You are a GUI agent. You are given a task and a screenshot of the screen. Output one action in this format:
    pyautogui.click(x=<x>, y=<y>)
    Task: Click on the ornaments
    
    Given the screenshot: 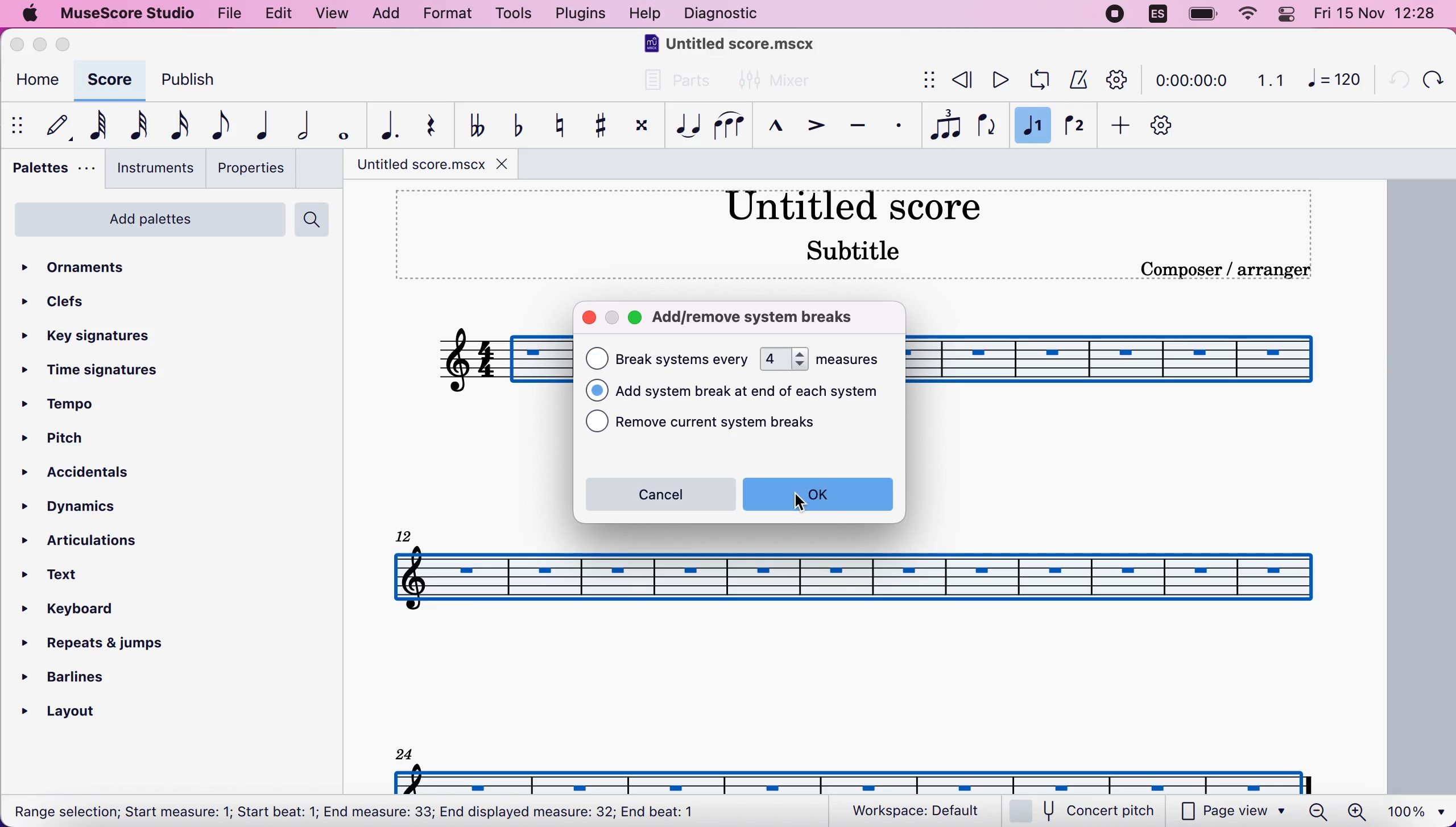 What is the action you would take?
    pyautogui.click(x=93, y=268)
    